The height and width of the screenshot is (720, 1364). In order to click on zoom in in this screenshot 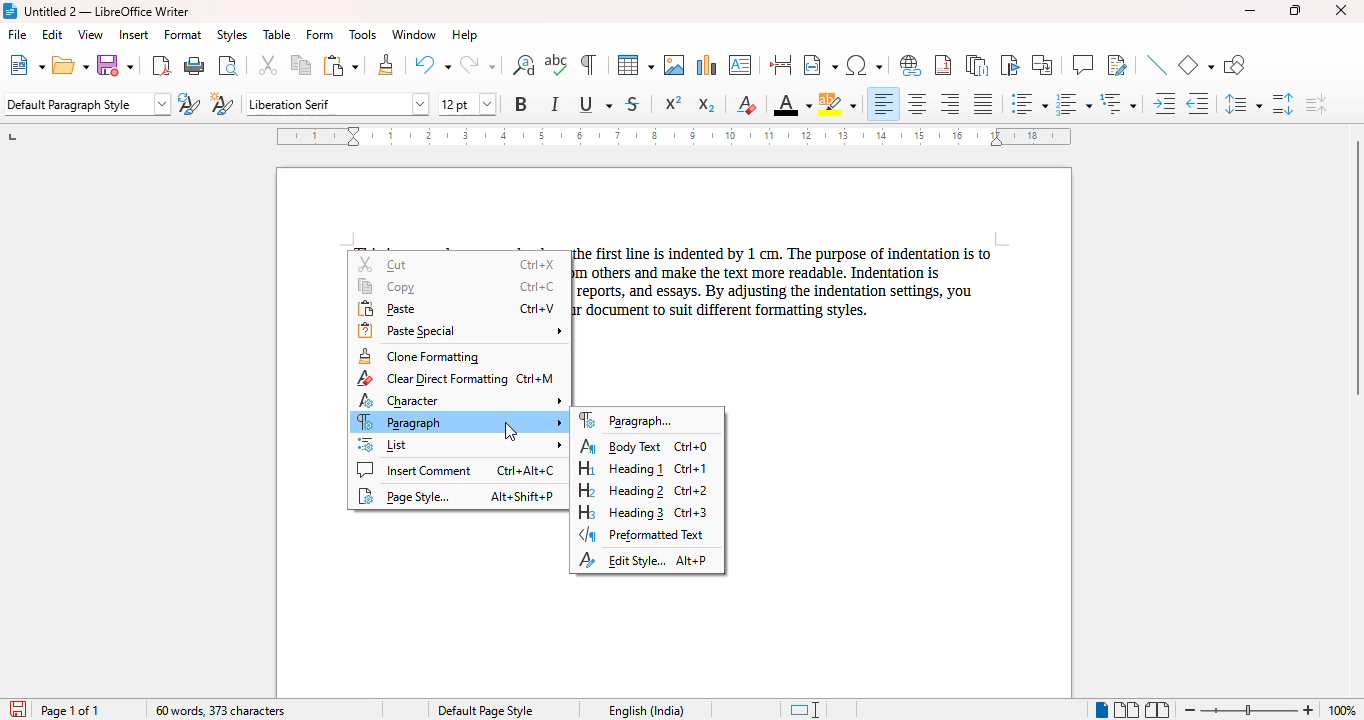, I will do `click(1309, 709)`.